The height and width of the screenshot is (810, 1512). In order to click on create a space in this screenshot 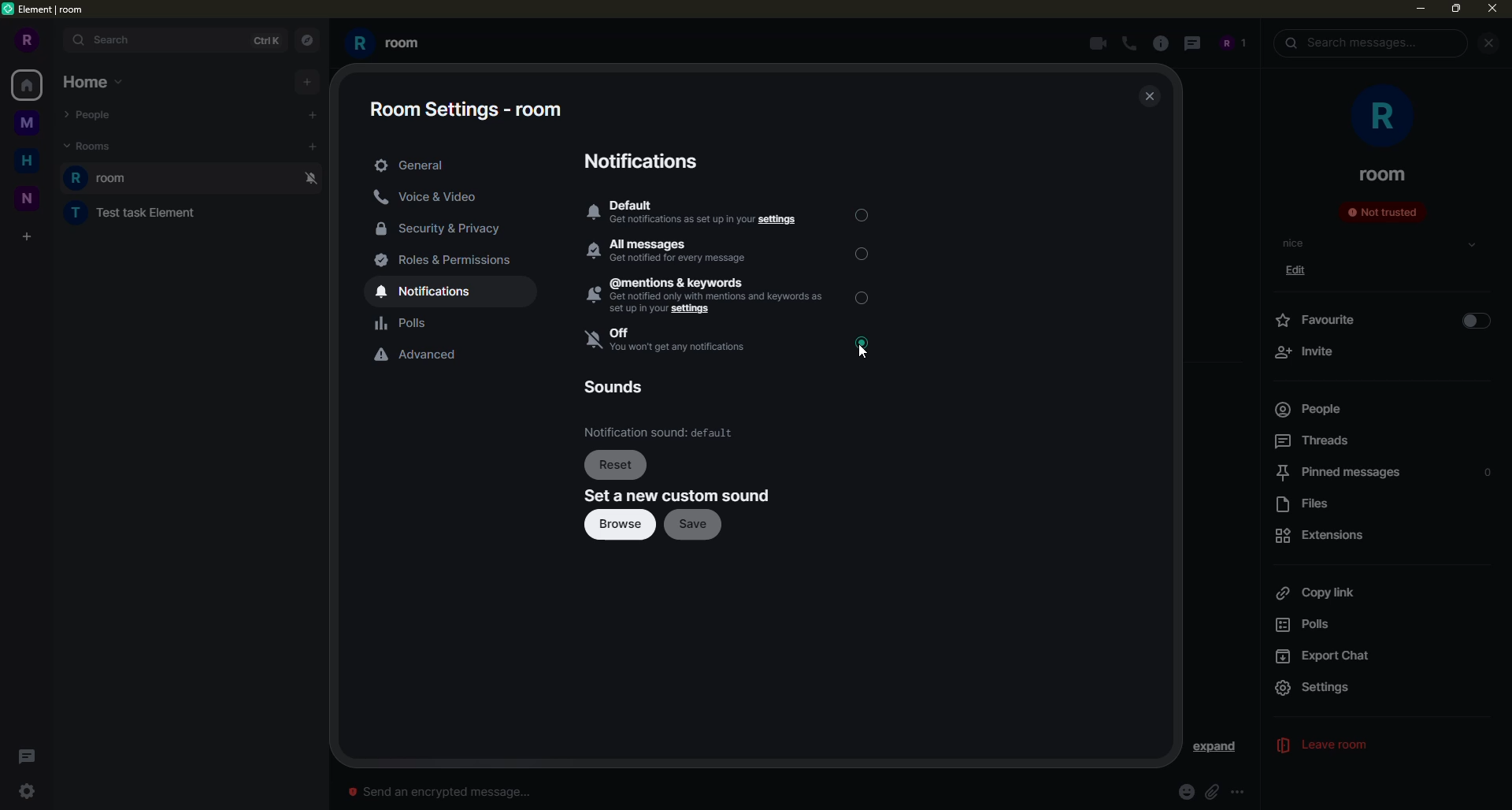, I will do `click(30, 233)`.